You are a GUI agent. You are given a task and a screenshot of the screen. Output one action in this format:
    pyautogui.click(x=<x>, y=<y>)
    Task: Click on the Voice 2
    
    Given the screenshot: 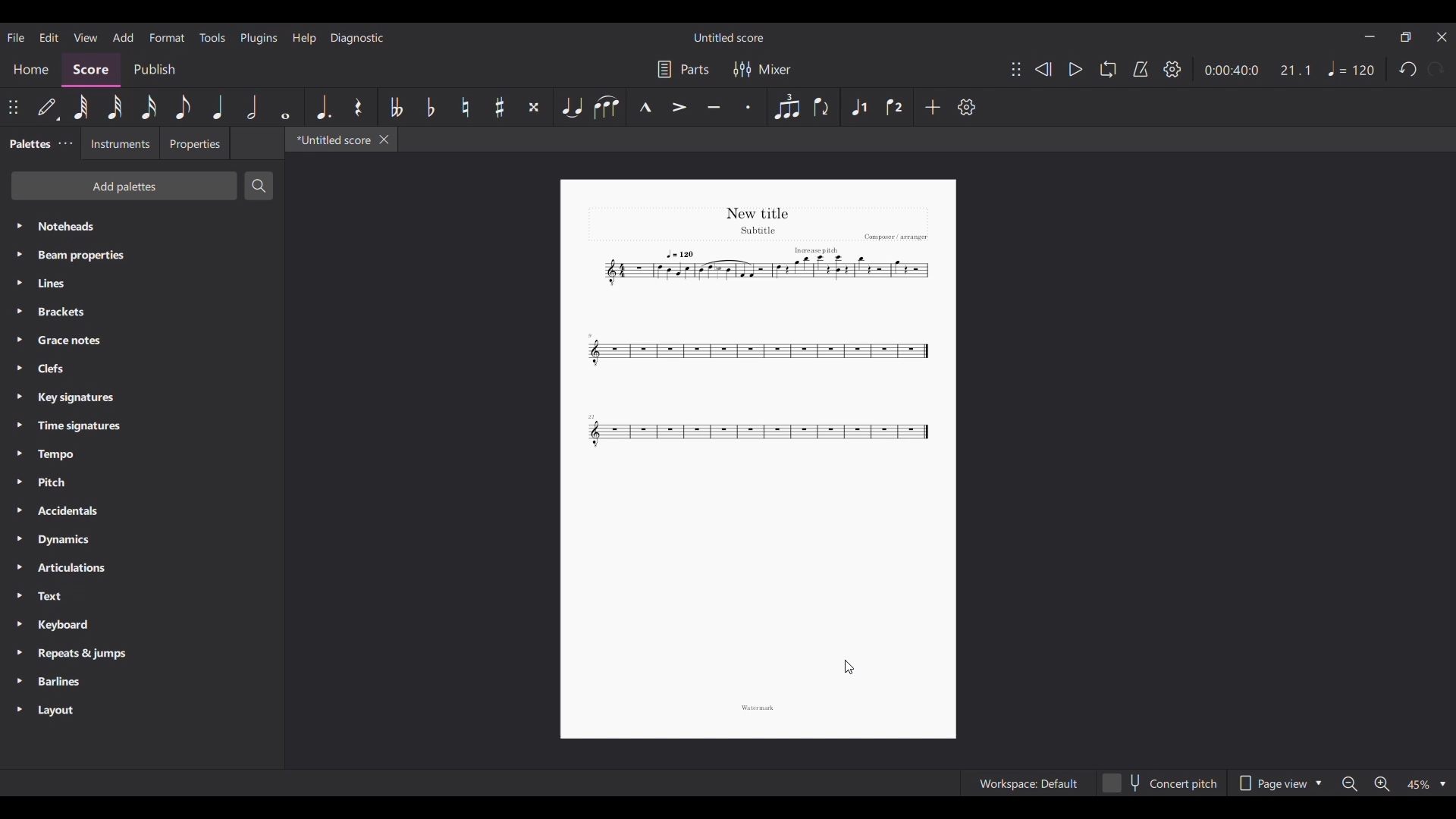 What is the action you would take?
    pyautogui.click(x=896, y=107)
    